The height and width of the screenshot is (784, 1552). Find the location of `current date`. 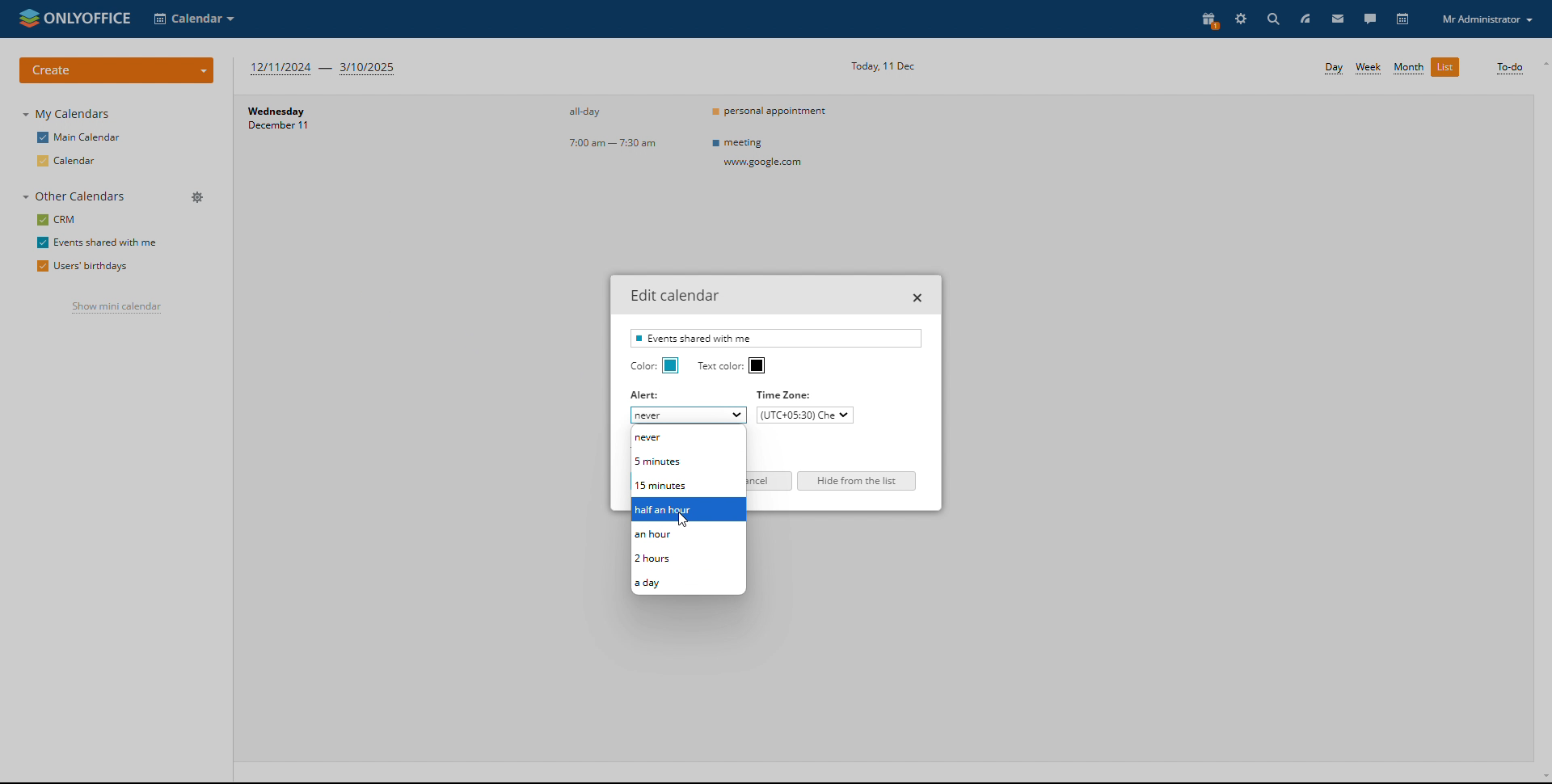

current date is located at coordinates (883, 65).